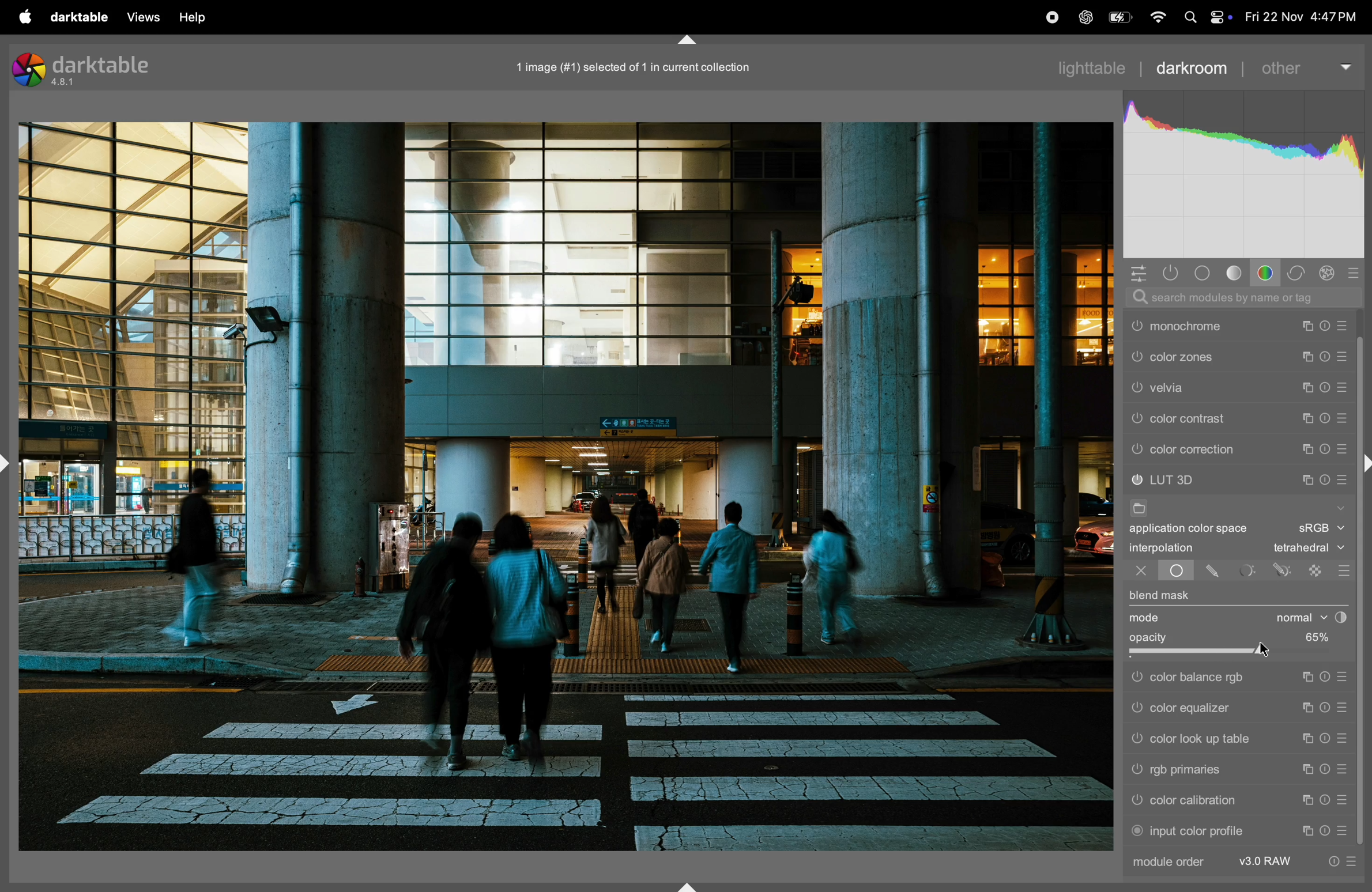  Describe the element at coordinates (1283, 570) in the screenshot. I see `drawn parametric mask` at that location.